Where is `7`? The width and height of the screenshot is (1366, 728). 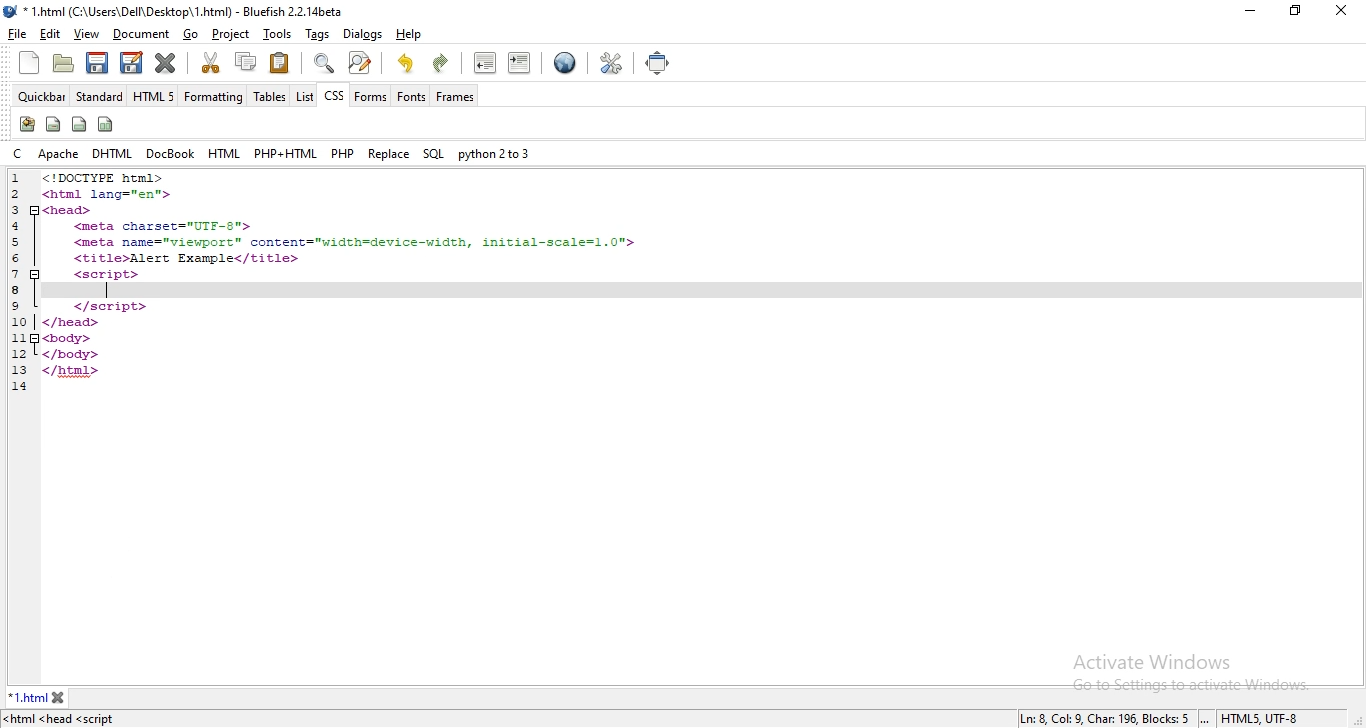 7 is located at coordinates (12, 274).